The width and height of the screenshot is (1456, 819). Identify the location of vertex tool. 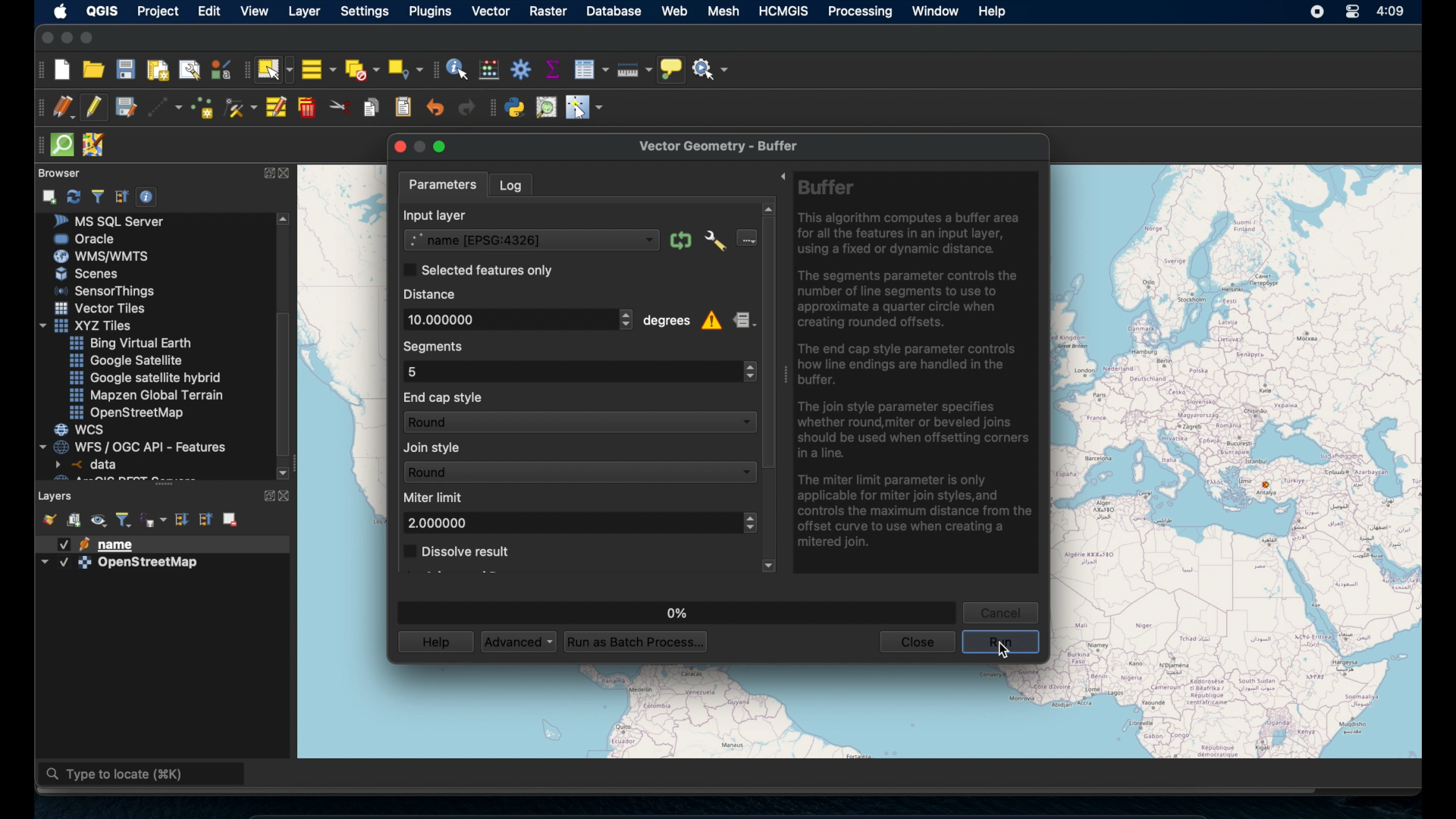
(240, 105).